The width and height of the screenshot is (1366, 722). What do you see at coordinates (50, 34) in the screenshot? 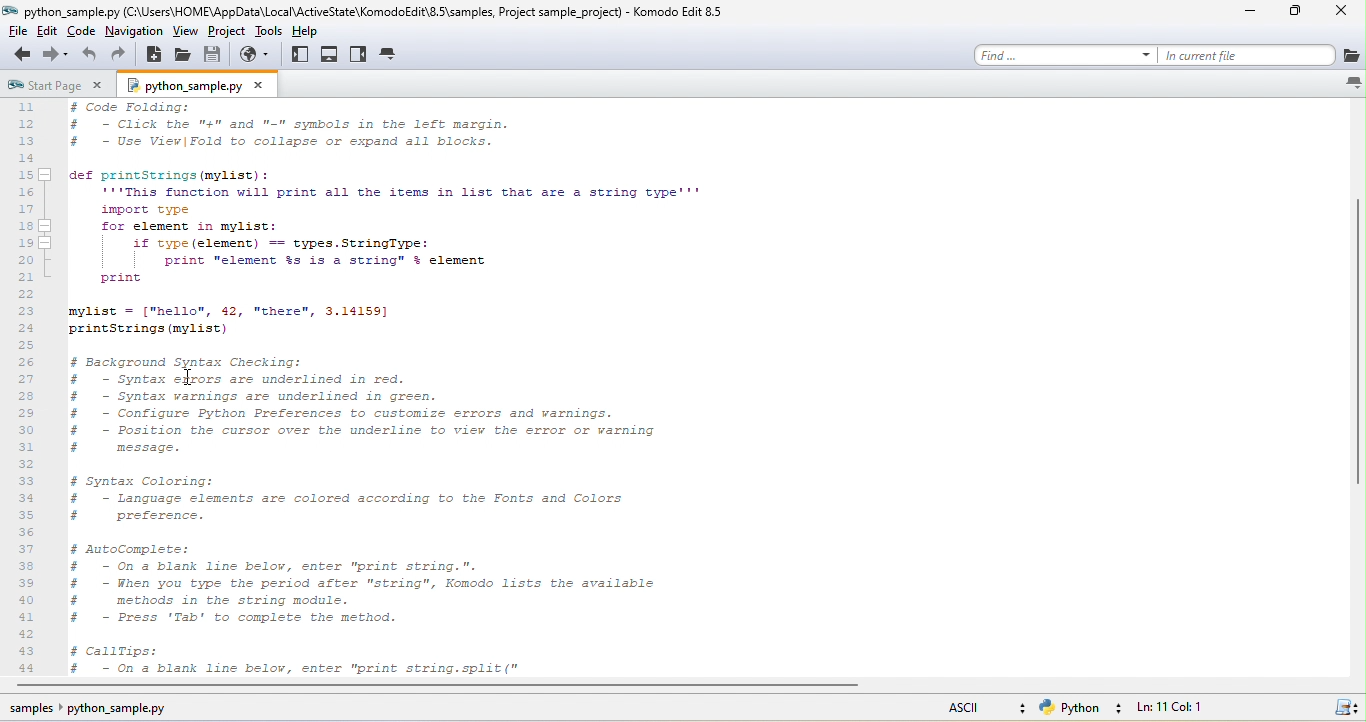
I see `edit` at bounding box center [50, 34].